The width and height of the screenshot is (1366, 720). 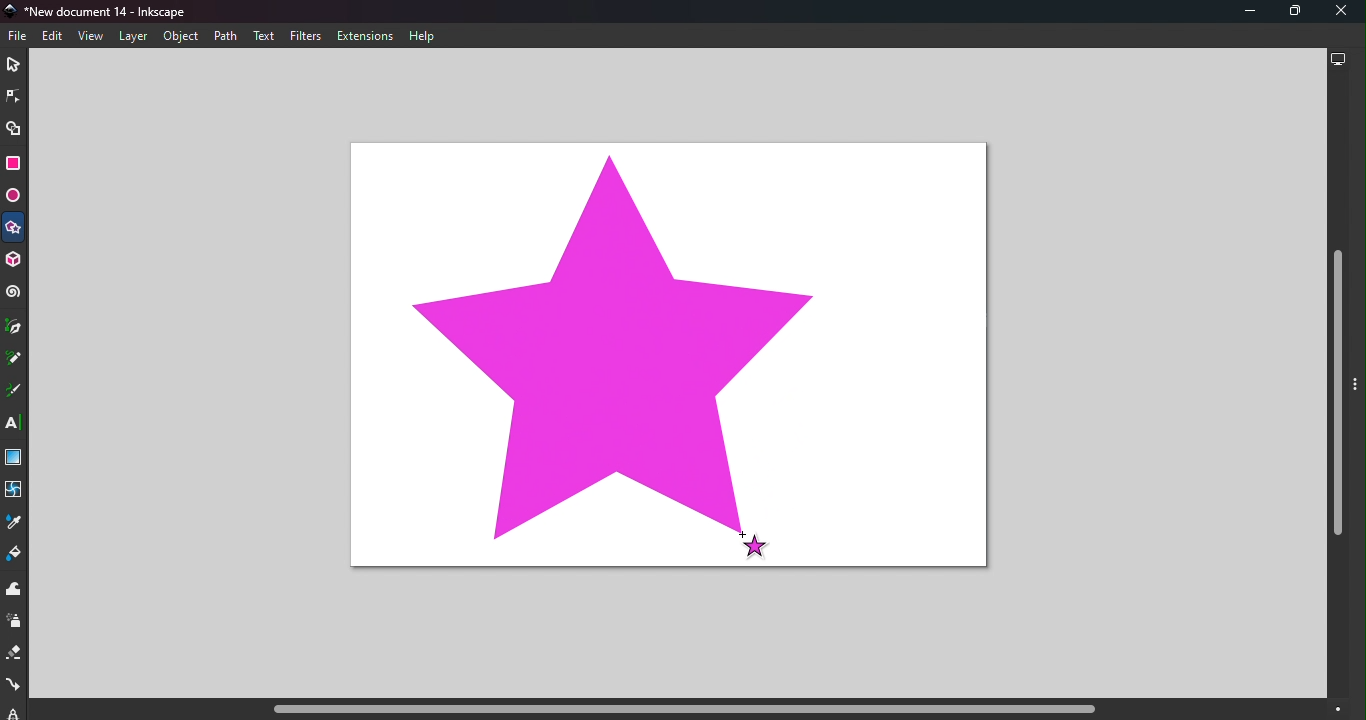 What do you see at coordinates (752, 544) in the screenshot?
I see `Cursor` at bounding box center [752, 544].